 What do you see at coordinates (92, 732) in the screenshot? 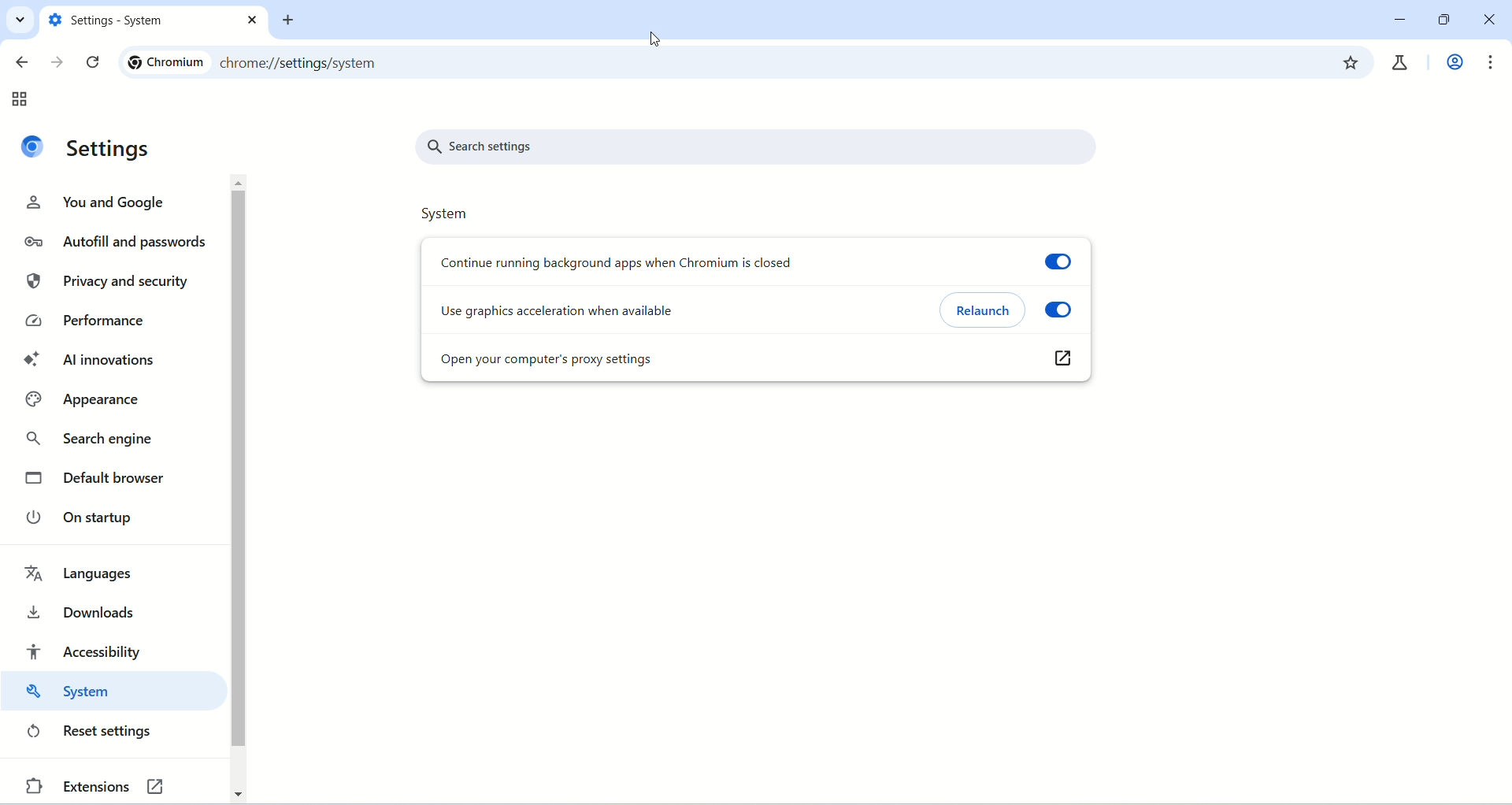
I see `reset settings` at bounding box center [92, 732].